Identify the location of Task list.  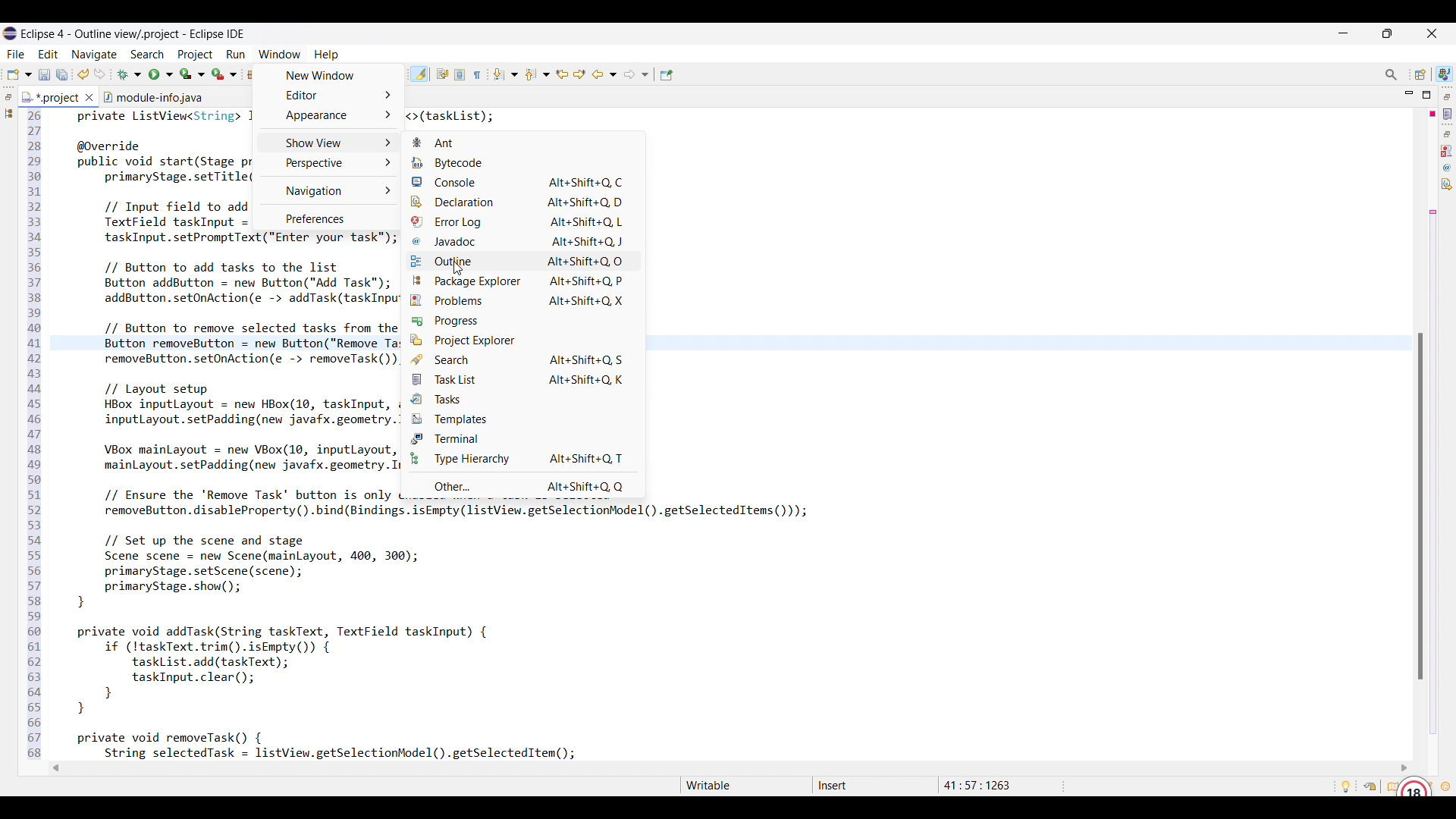
(523, 379).